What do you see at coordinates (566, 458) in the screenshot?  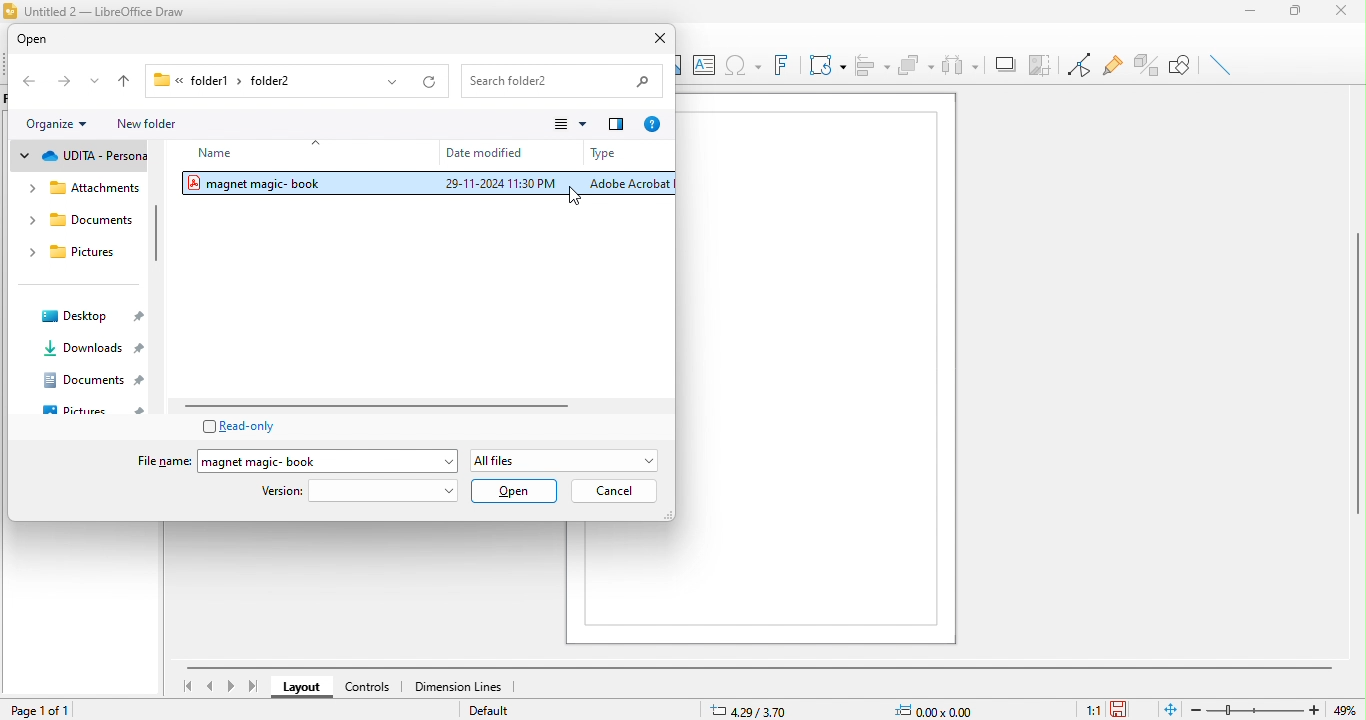 I see `all files` at bounding box center [566, 458].